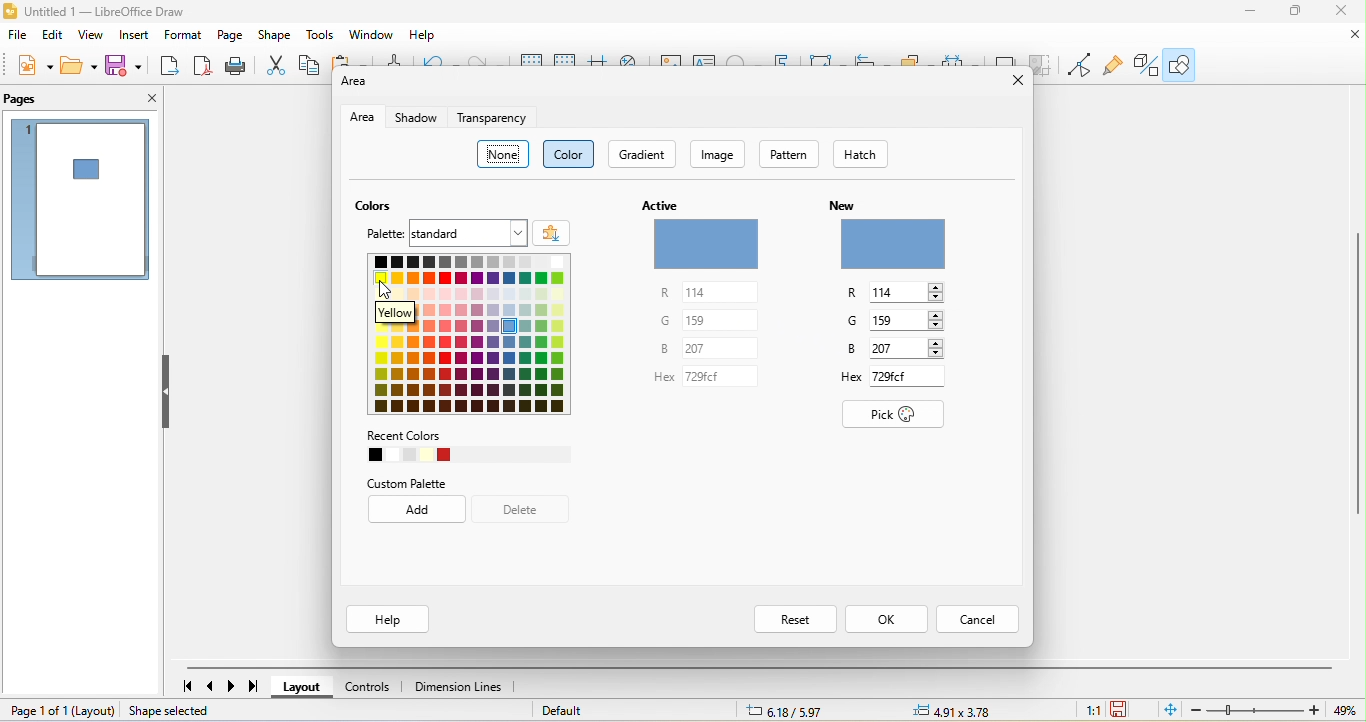 This screenshot has height=722, width=1366. What do you see at coordinates (889, 619) in the screenshot?
I see `ok` at bounding box center [889, 619].